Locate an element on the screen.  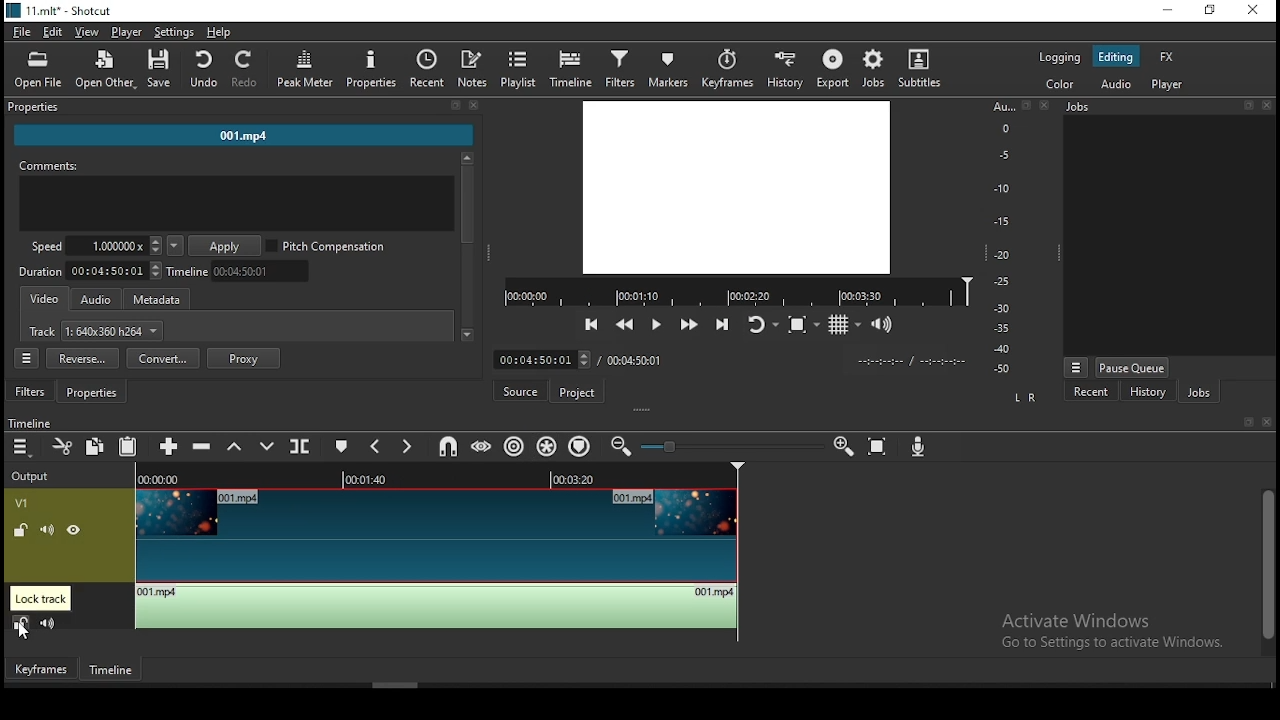
timeline is located at coordinates (243, 272).